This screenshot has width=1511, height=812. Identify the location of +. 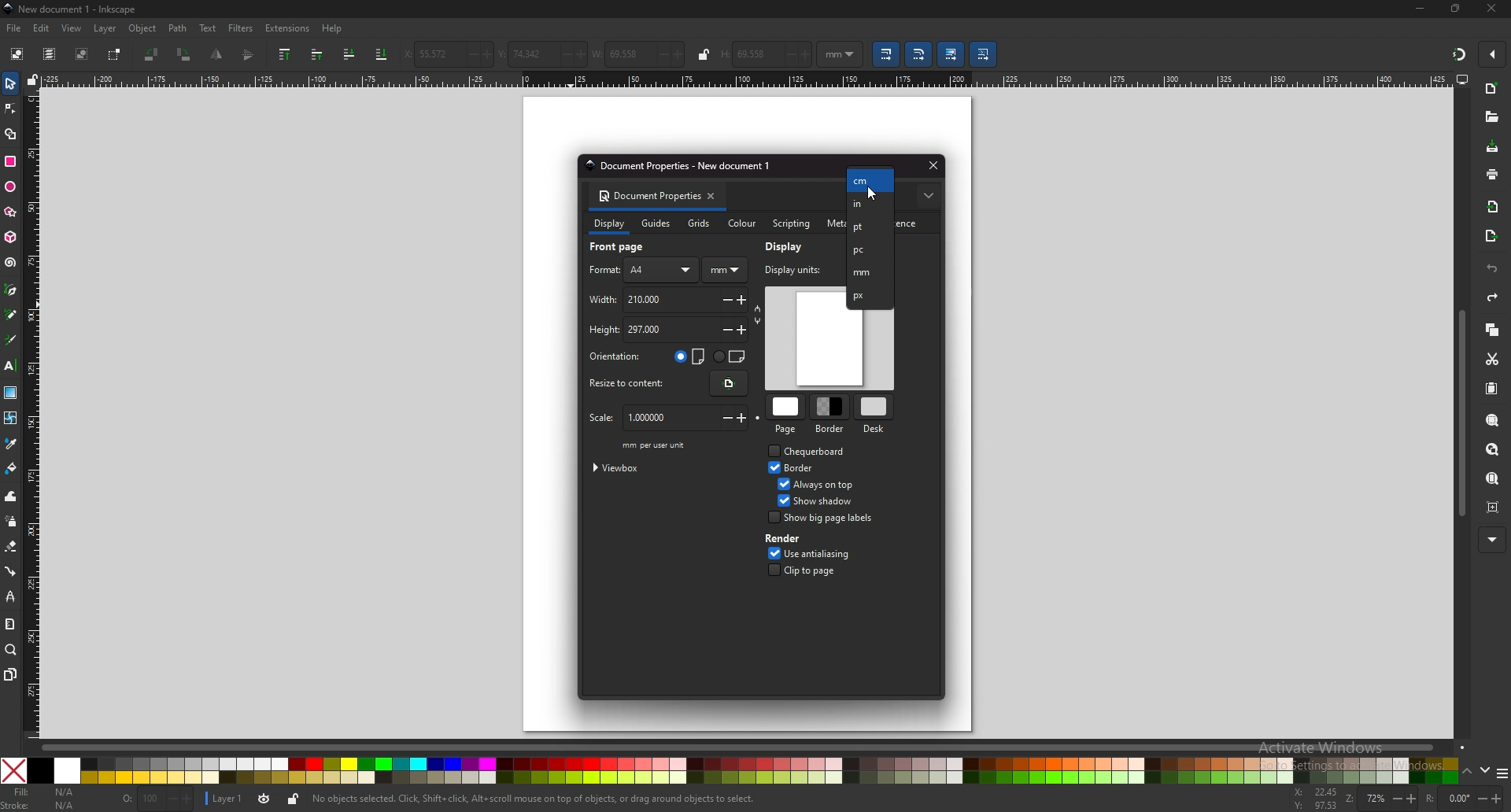
(680, 56).